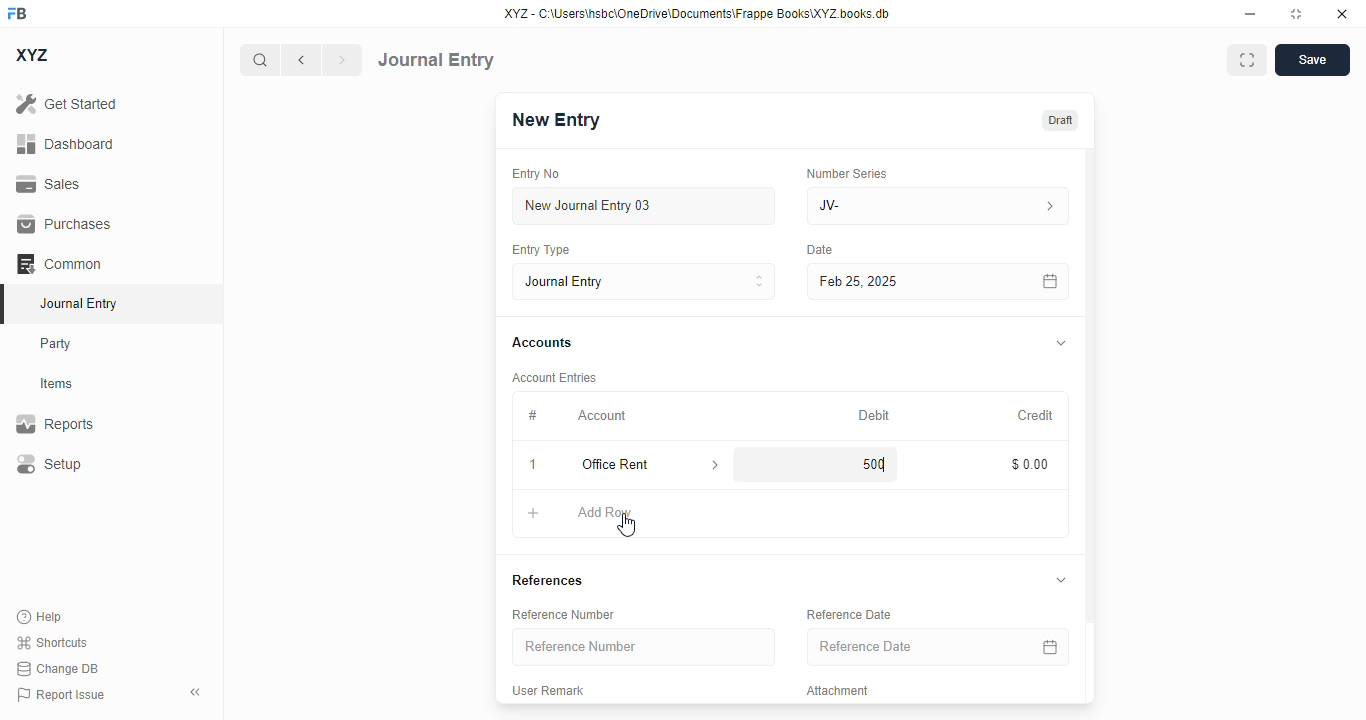 The height and width of the screenshot is (720, 1366). What do you see at coordinates (625, 525) in the screenshot?
I see `cursor` at bounding box center [625, 525].